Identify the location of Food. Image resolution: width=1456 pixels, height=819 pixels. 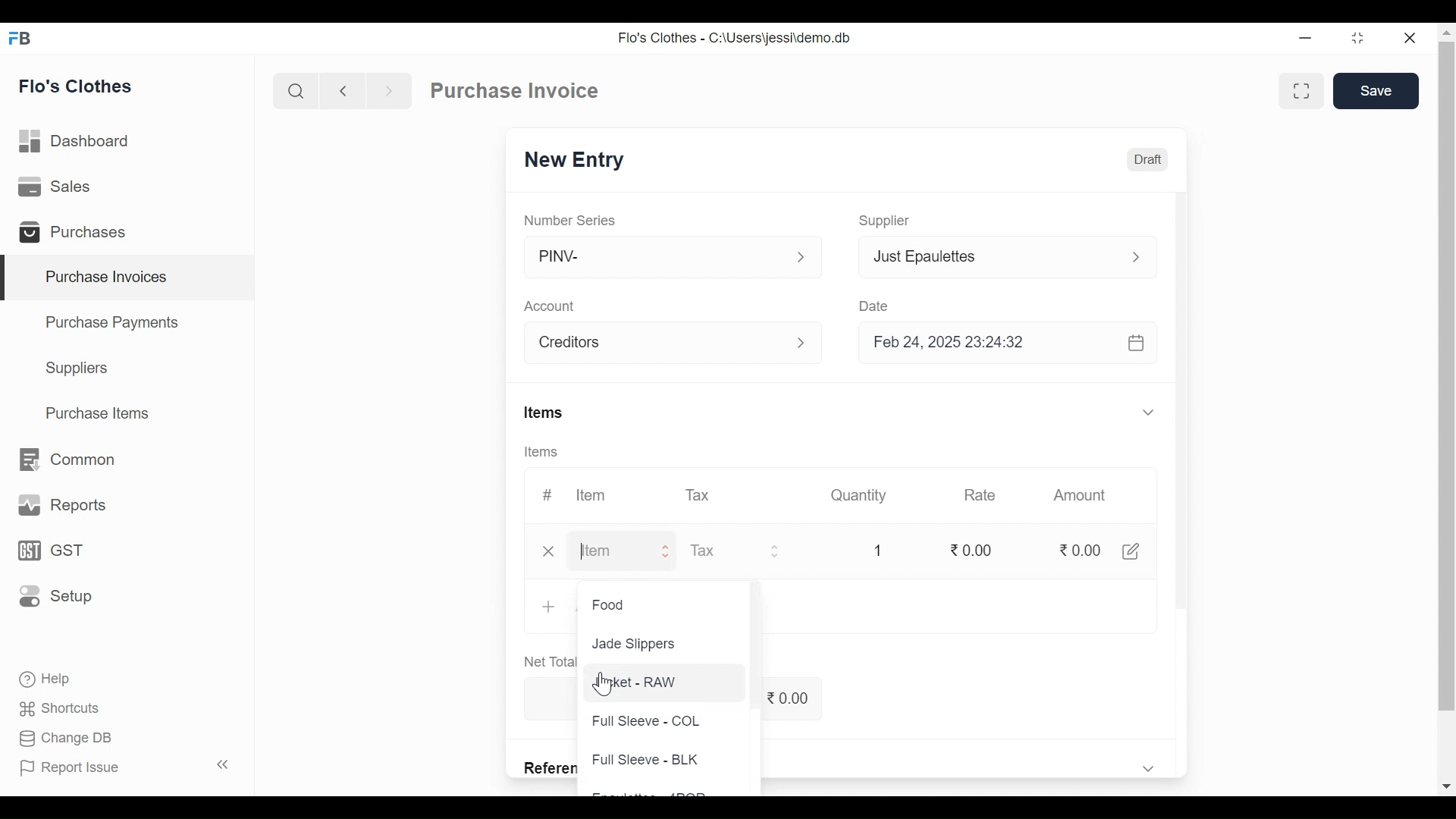
(617, 605).